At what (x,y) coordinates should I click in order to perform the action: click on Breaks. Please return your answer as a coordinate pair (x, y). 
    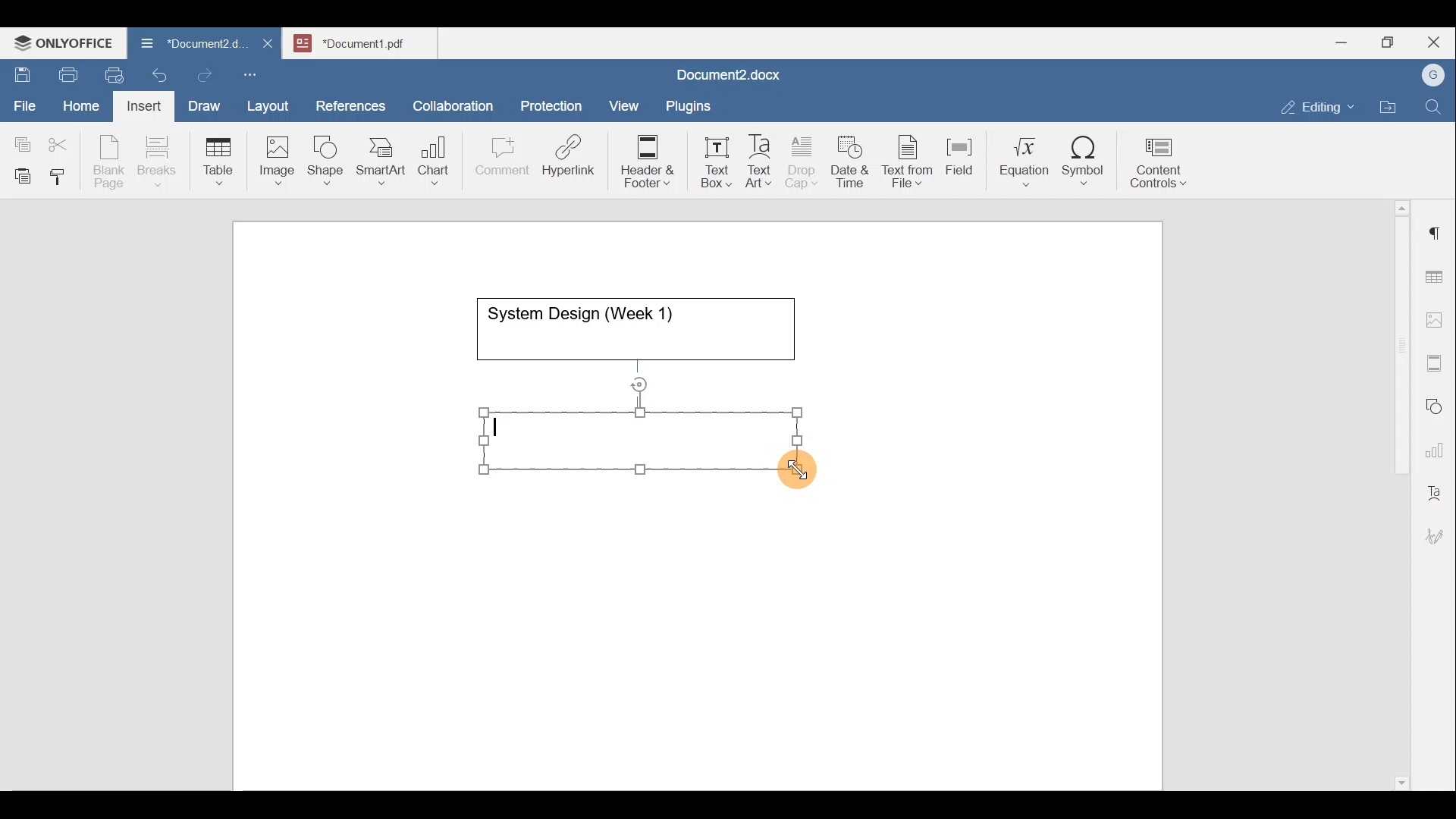
    Looking at the image, I should click on (156, 162).